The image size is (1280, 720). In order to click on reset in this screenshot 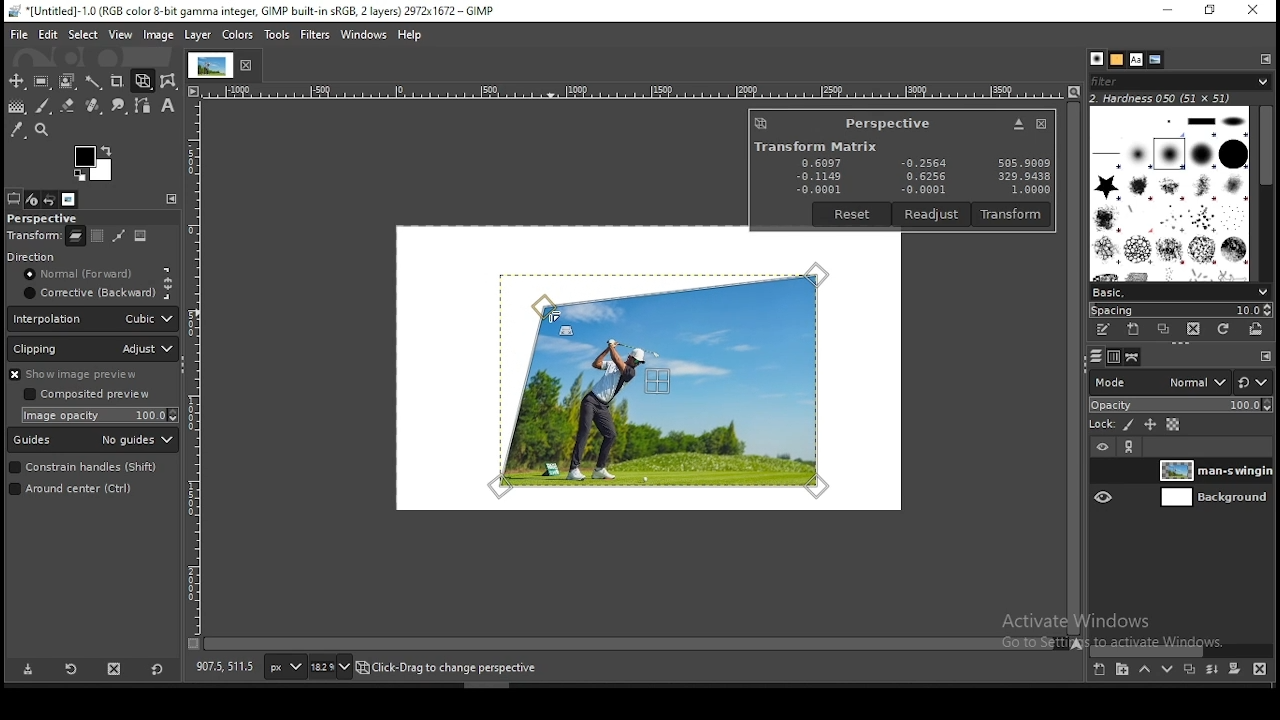, I will do `click(853, 214)`.